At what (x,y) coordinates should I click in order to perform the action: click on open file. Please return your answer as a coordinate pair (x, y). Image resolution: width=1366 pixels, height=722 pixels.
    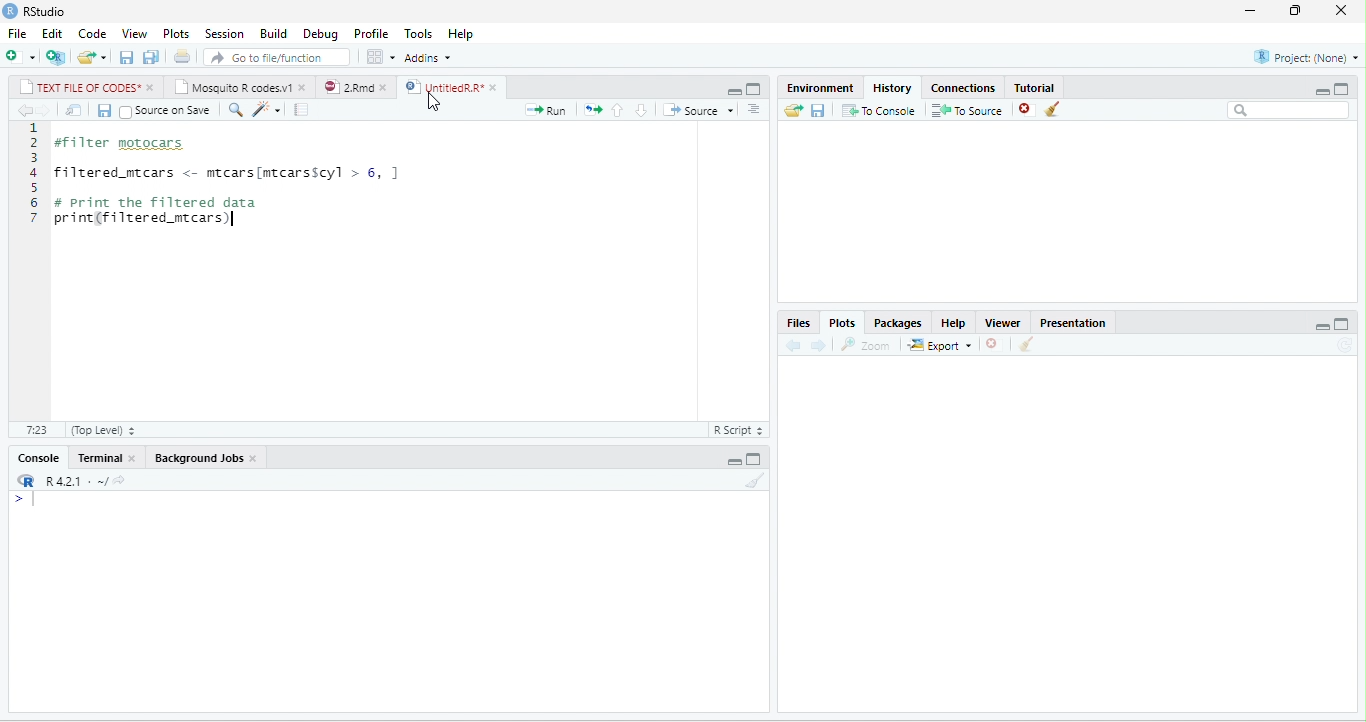
    Looking at the image, I should click on (92, 58).